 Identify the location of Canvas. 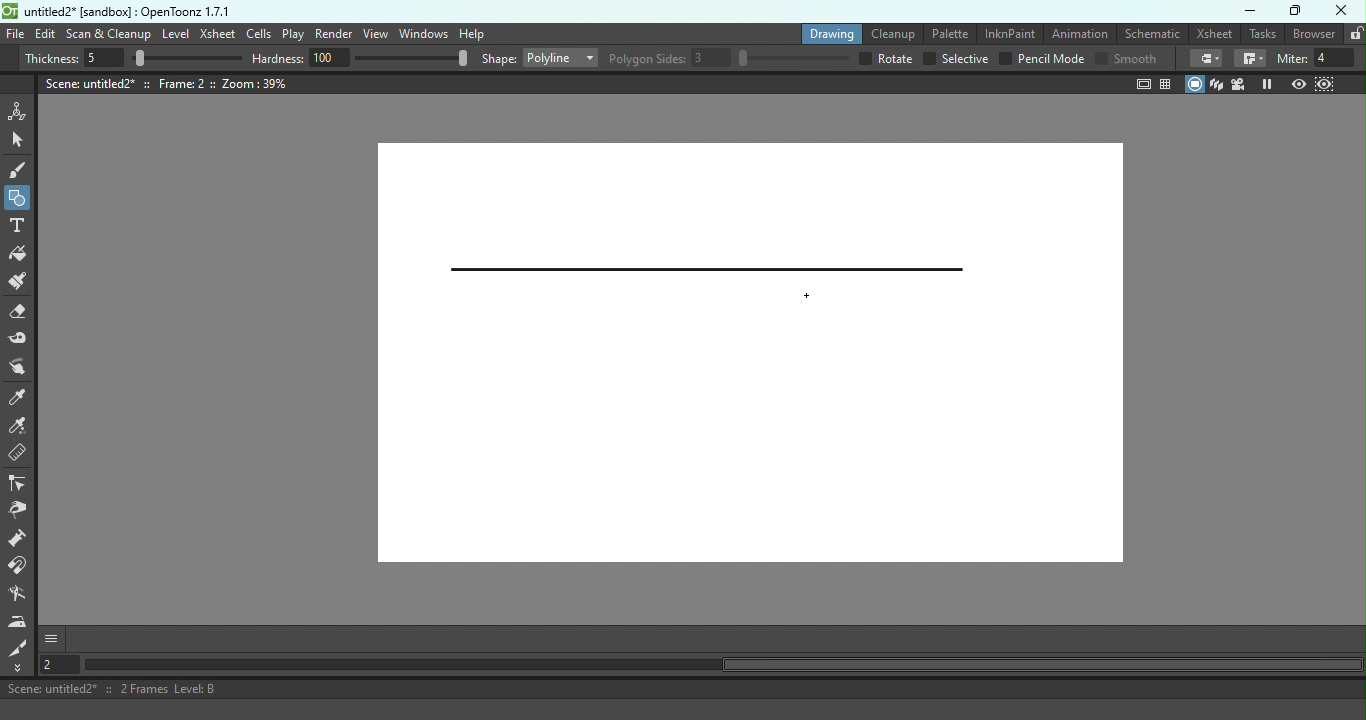
(738, 356).